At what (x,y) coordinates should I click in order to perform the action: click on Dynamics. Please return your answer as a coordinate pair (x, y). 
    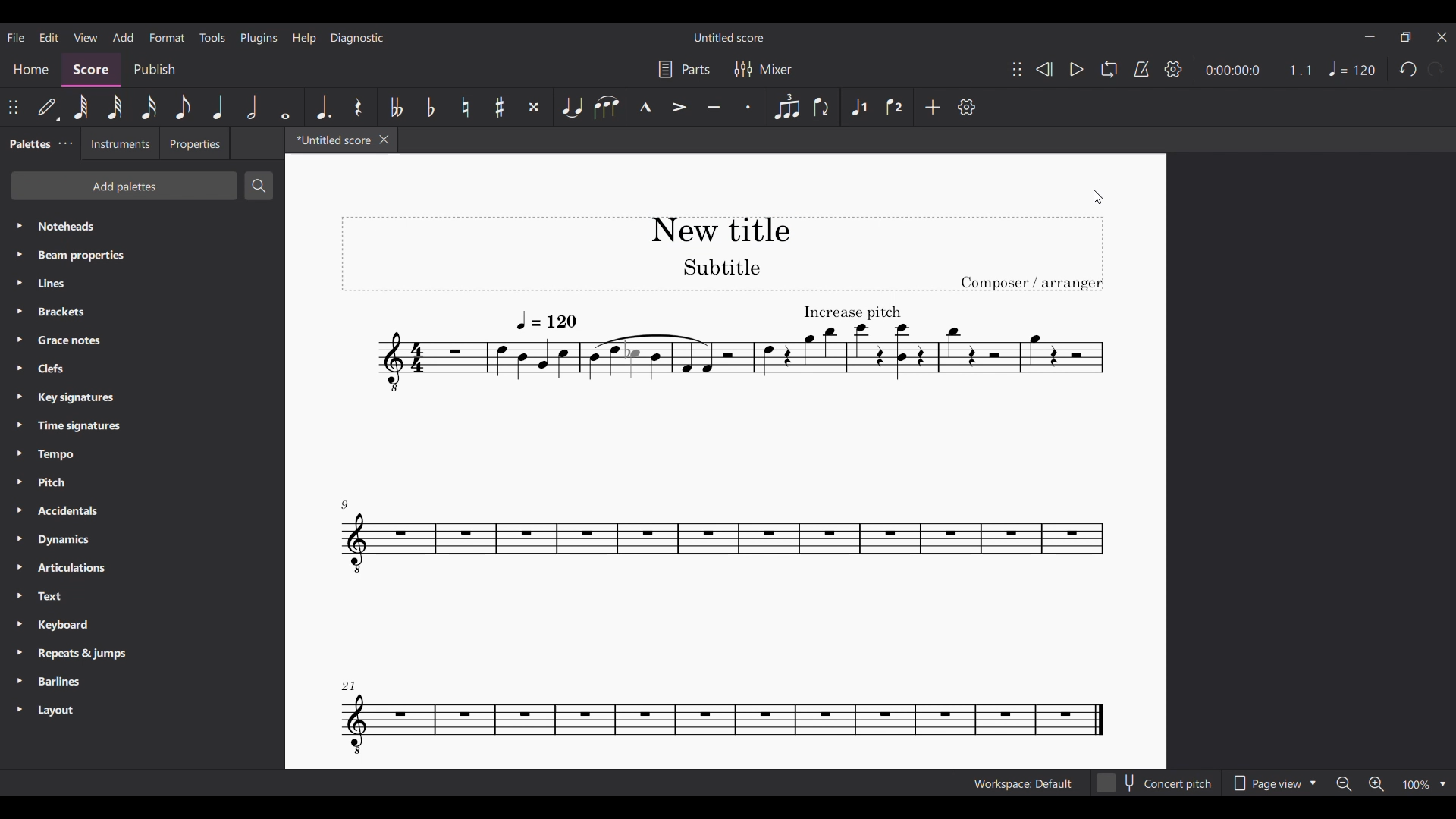
    Looking at the image, I should click on (143, 539).